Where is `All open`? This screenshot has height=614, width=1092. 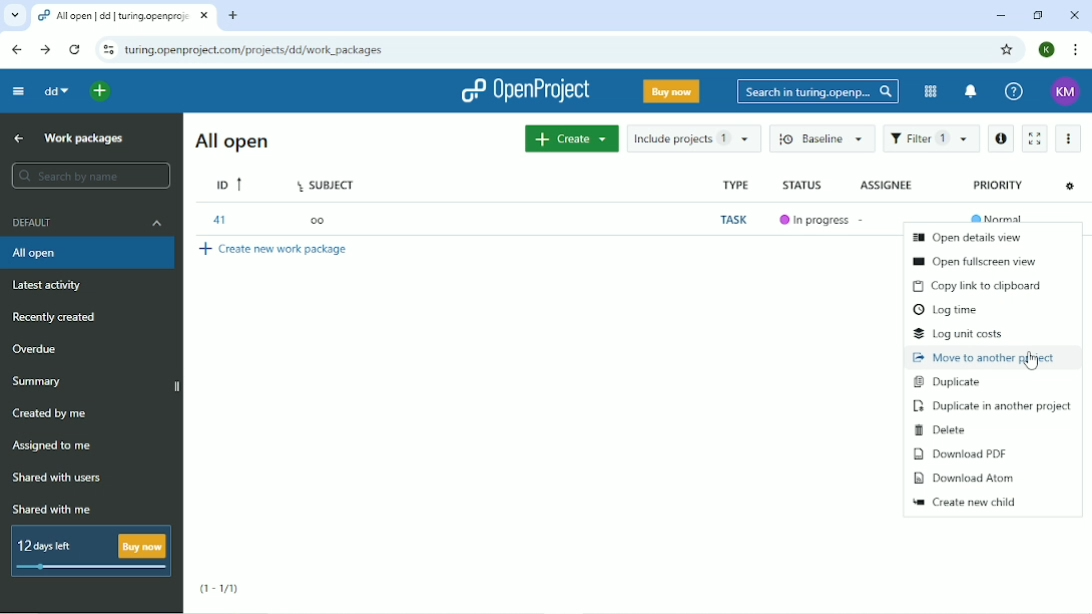
All open is located at coordinates (235, 140).